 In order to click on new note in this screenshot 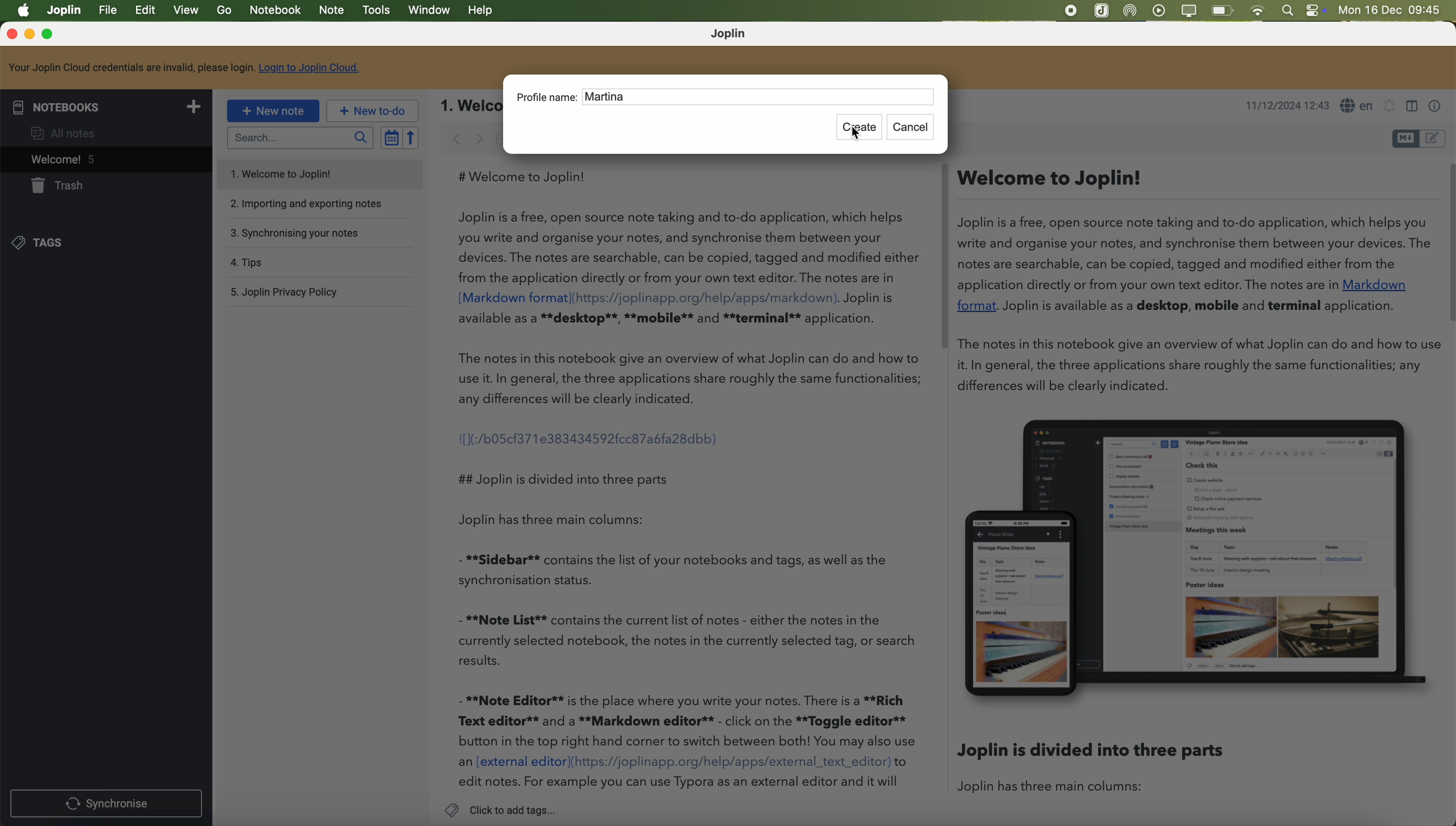, I will do `click(273, 112)`.